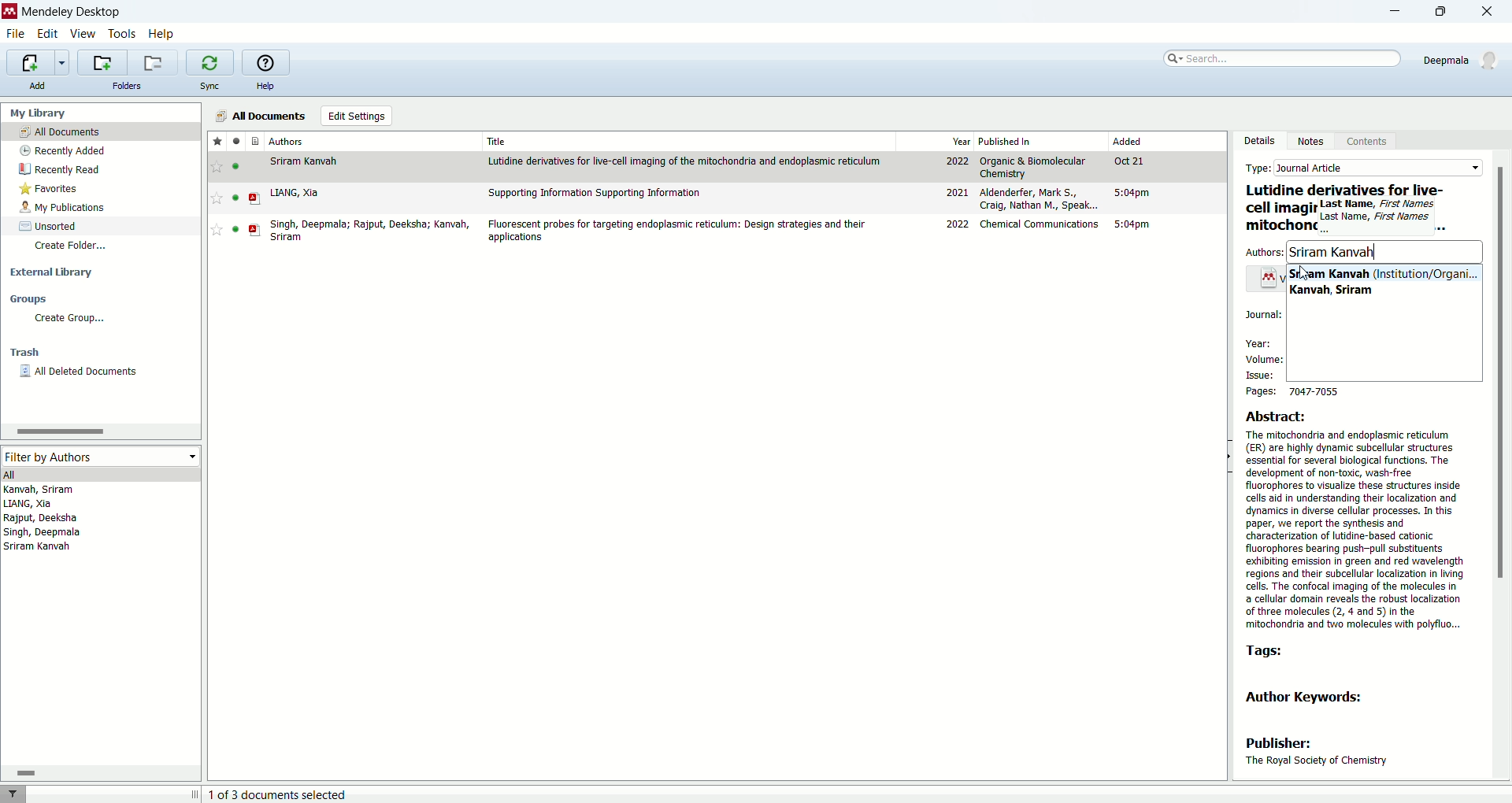 The height and width of the screenshot is (803, 1512). Describe the element at coordinates (1317, 753) in the screenshot. I see `publisher: The Royal Society of Chemistry` at that location.